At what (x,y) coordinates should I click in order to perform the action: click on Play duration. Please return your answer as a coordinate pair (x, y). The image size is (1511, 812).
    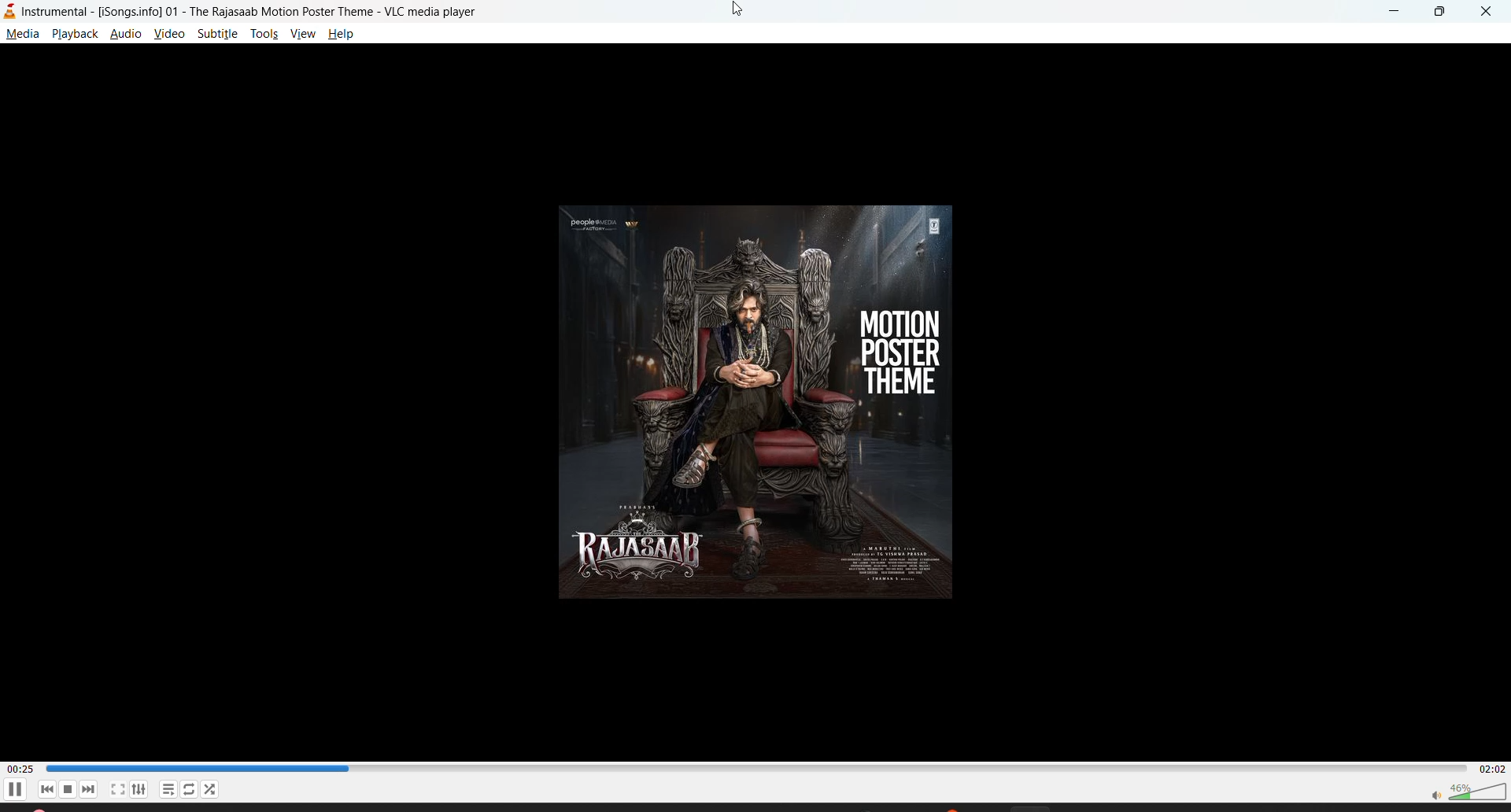
    Looking at the image, I should click on (753, 768).